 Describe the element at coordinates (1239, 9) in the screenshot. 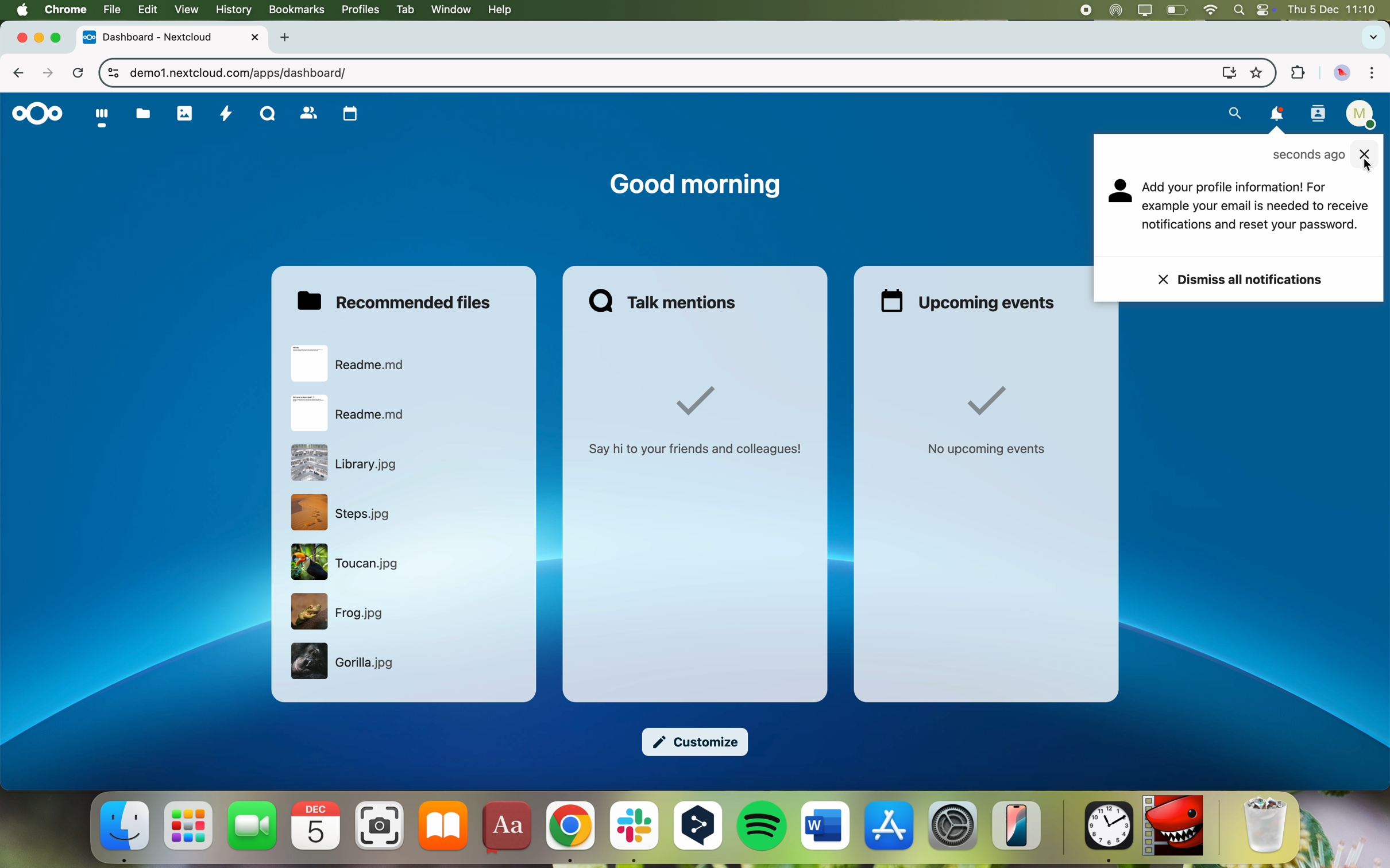

I see `spotlight search` at that location.